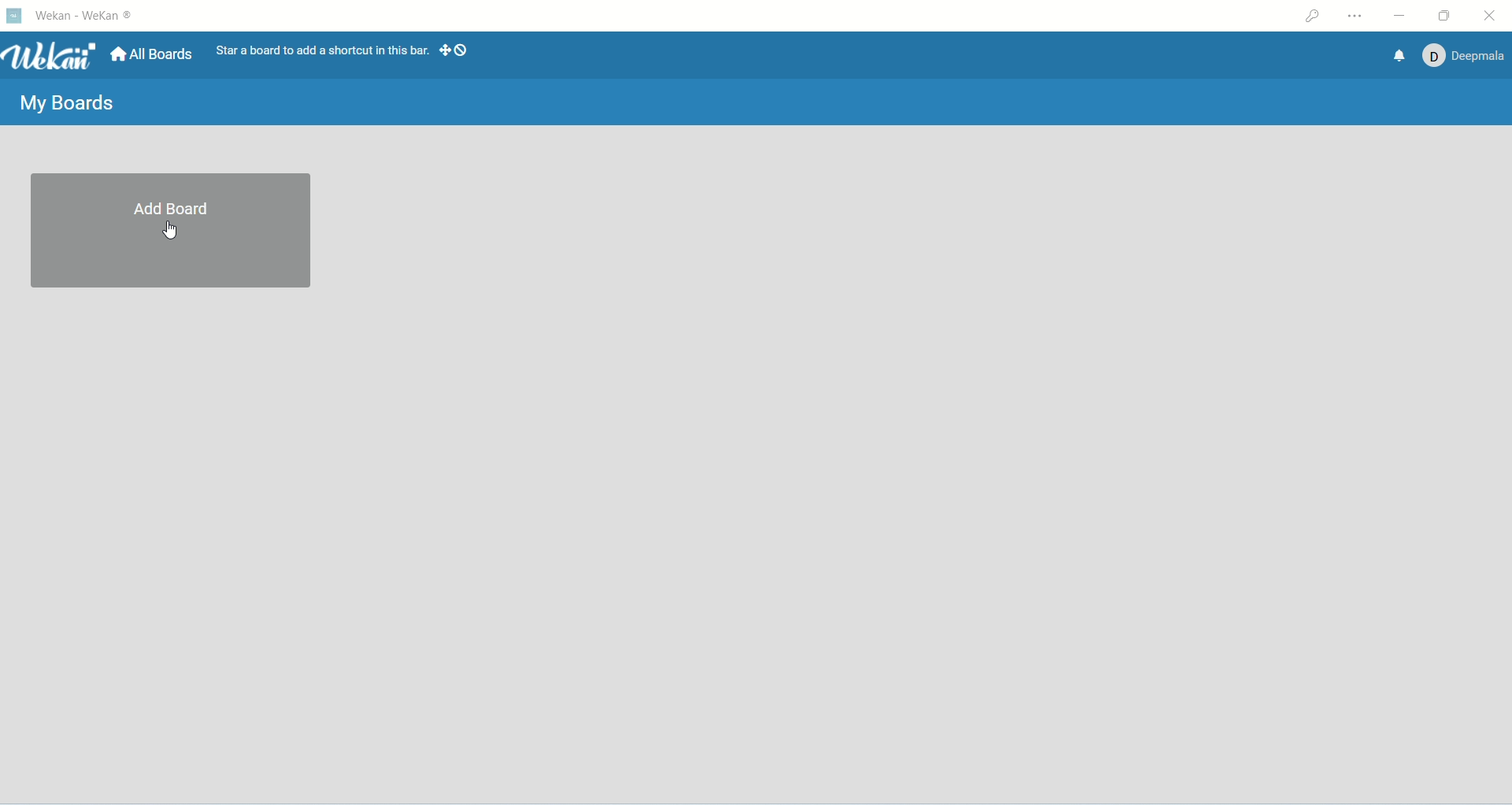 Image resolution: width=1512 pixels, height=805 pixels. Describe the element at coordinates (1444, 18) in the screenshot. I see `maximize` at that location.